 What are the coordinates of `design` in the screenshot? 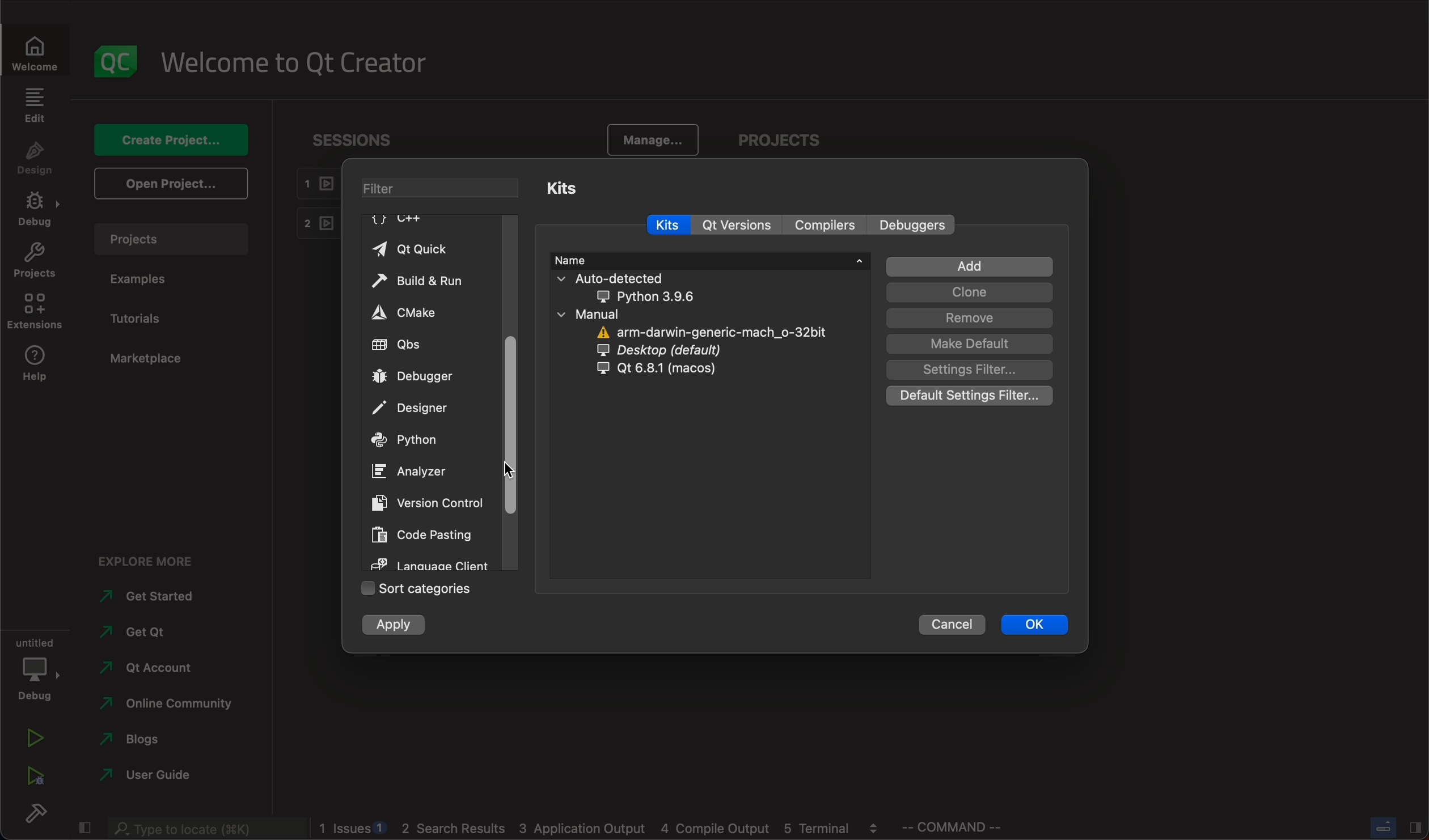 It's located at (31, 159).